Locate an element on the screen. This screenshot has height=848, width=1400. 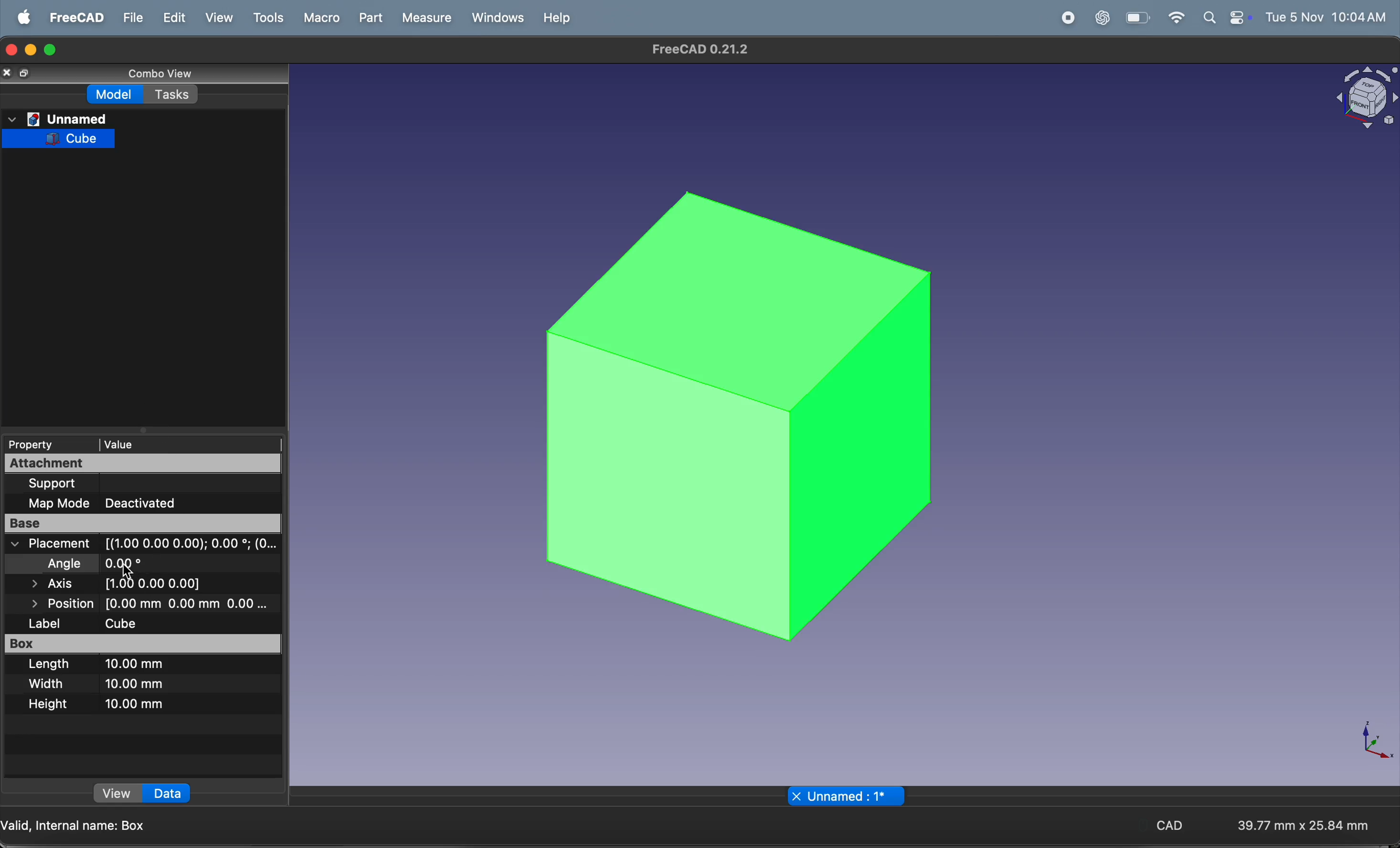
angle is located at coordinates (47, 563).